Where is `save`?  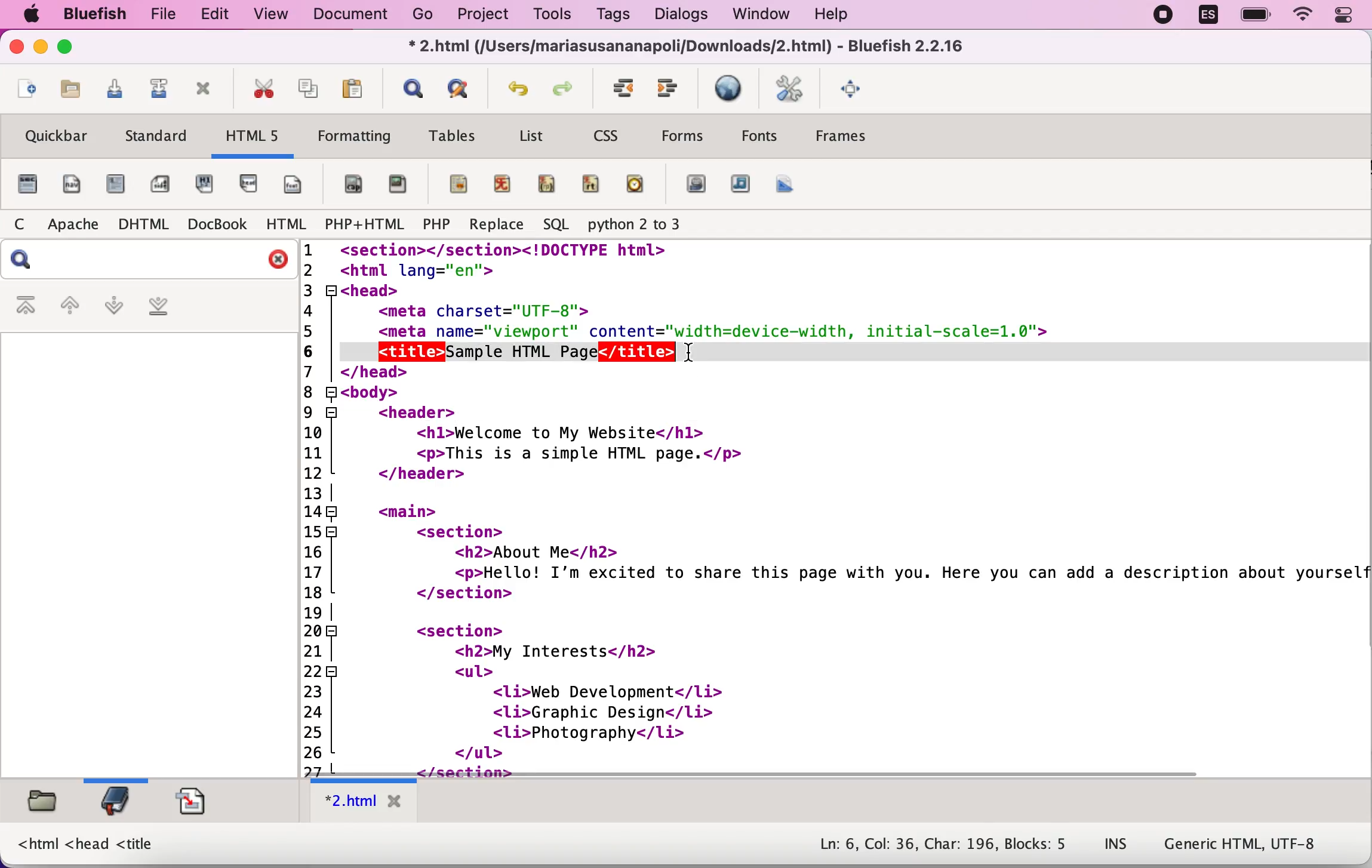
save is located at coordinates (115, 90).